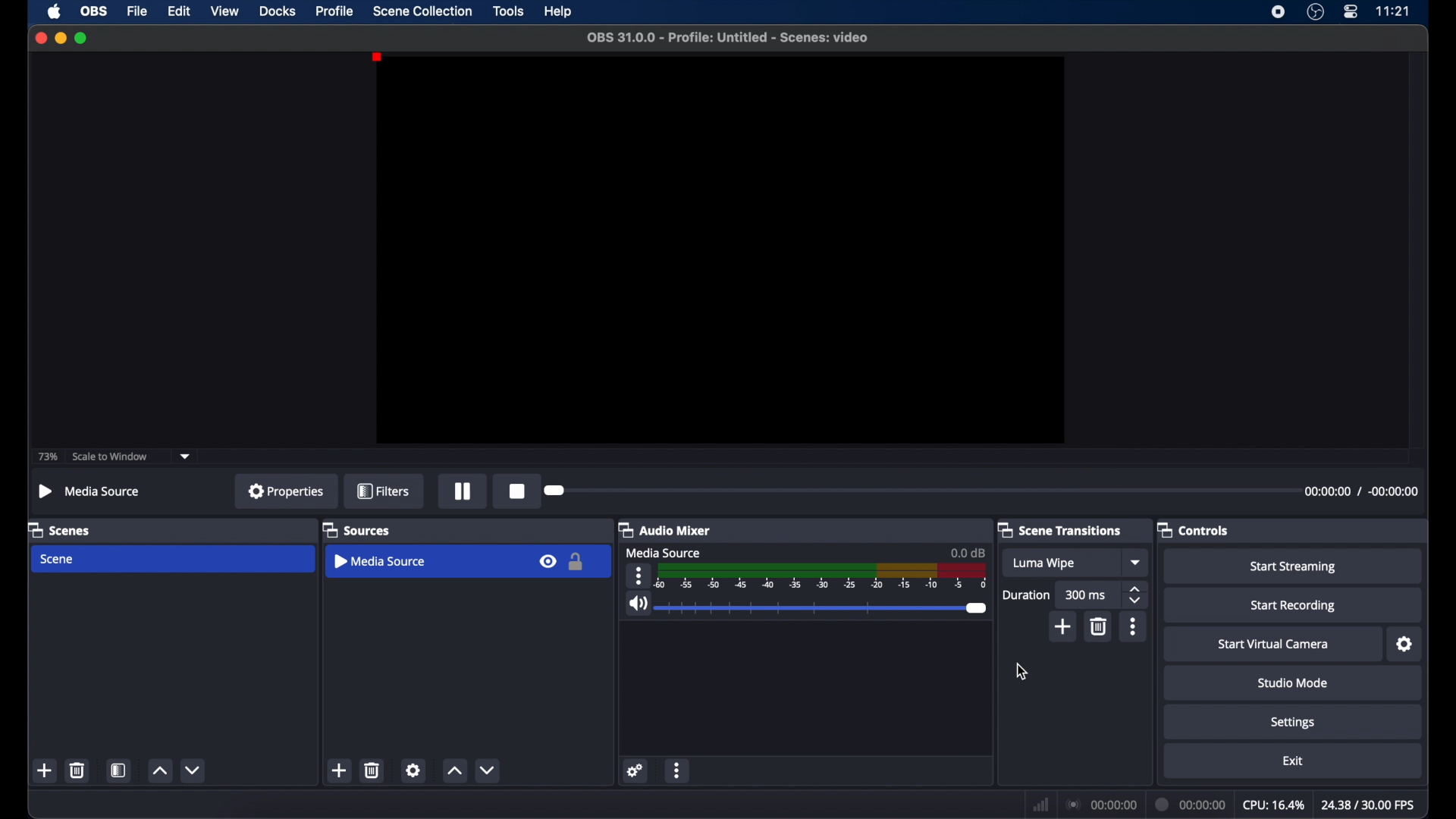 This screenshot has width=1456, height=819. What do you see at coordinates (54, 11) in the screenshot?
I see `apple icon` at bounding box center [54, 11].